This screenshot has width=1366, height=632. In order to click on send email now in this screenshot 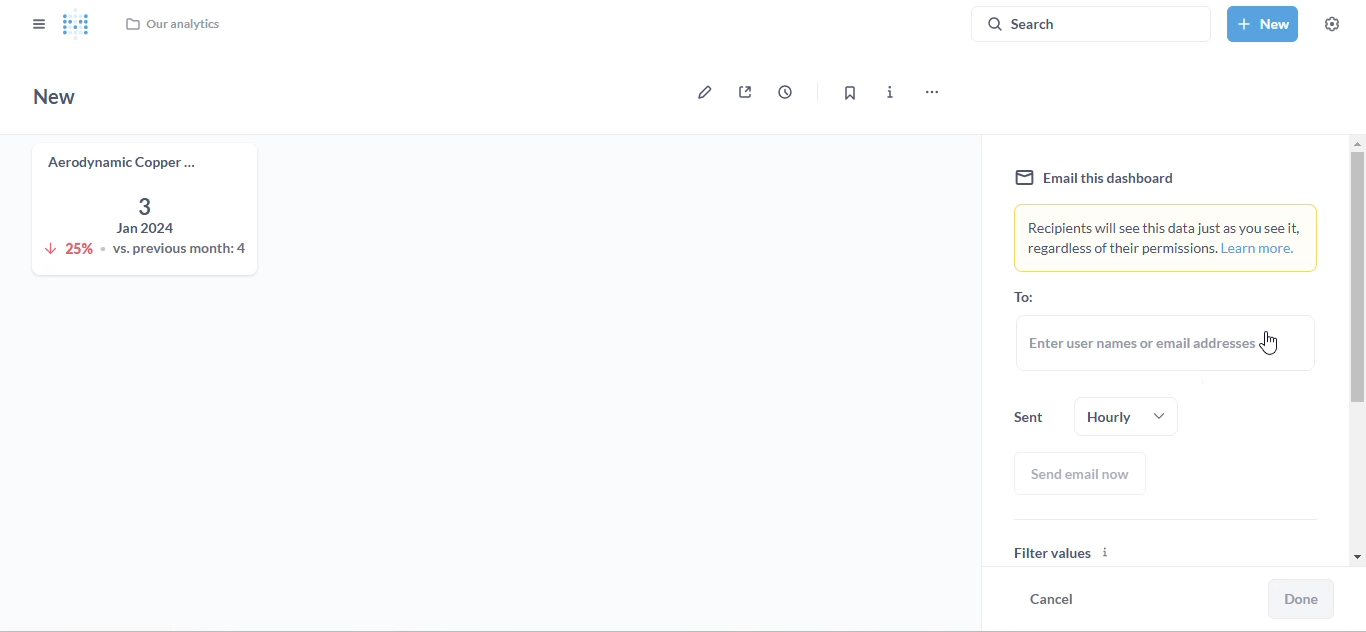, I will do `click(1082, 474)`.